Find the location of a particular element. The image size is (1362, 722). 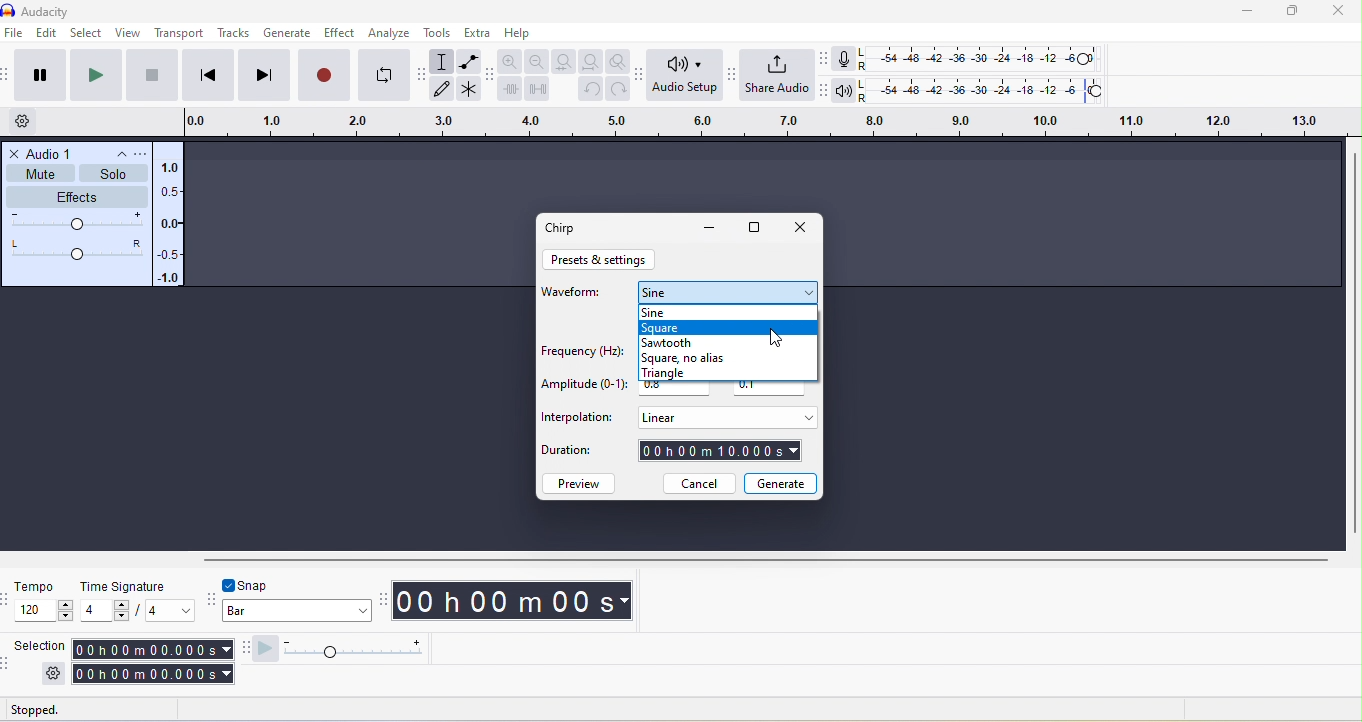

mute is located at coordinates (41, 173).